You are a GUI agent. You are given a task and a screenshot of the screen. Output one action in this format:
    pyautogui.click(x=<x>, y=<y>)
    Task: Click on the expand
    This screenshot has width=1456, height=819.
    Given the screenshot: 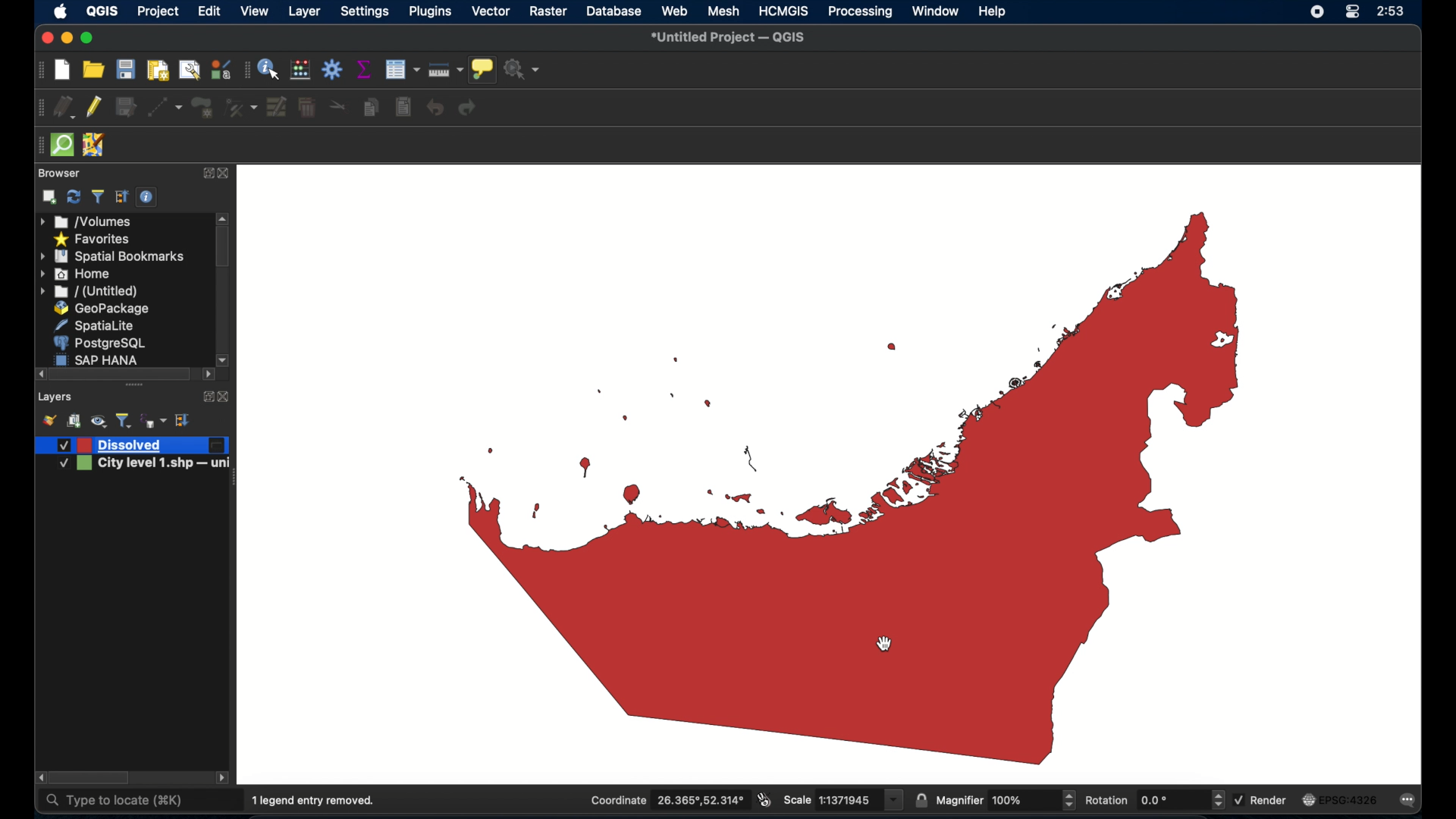 What is the action you would take?
    pyautogui.click(x=206, y=171)
    